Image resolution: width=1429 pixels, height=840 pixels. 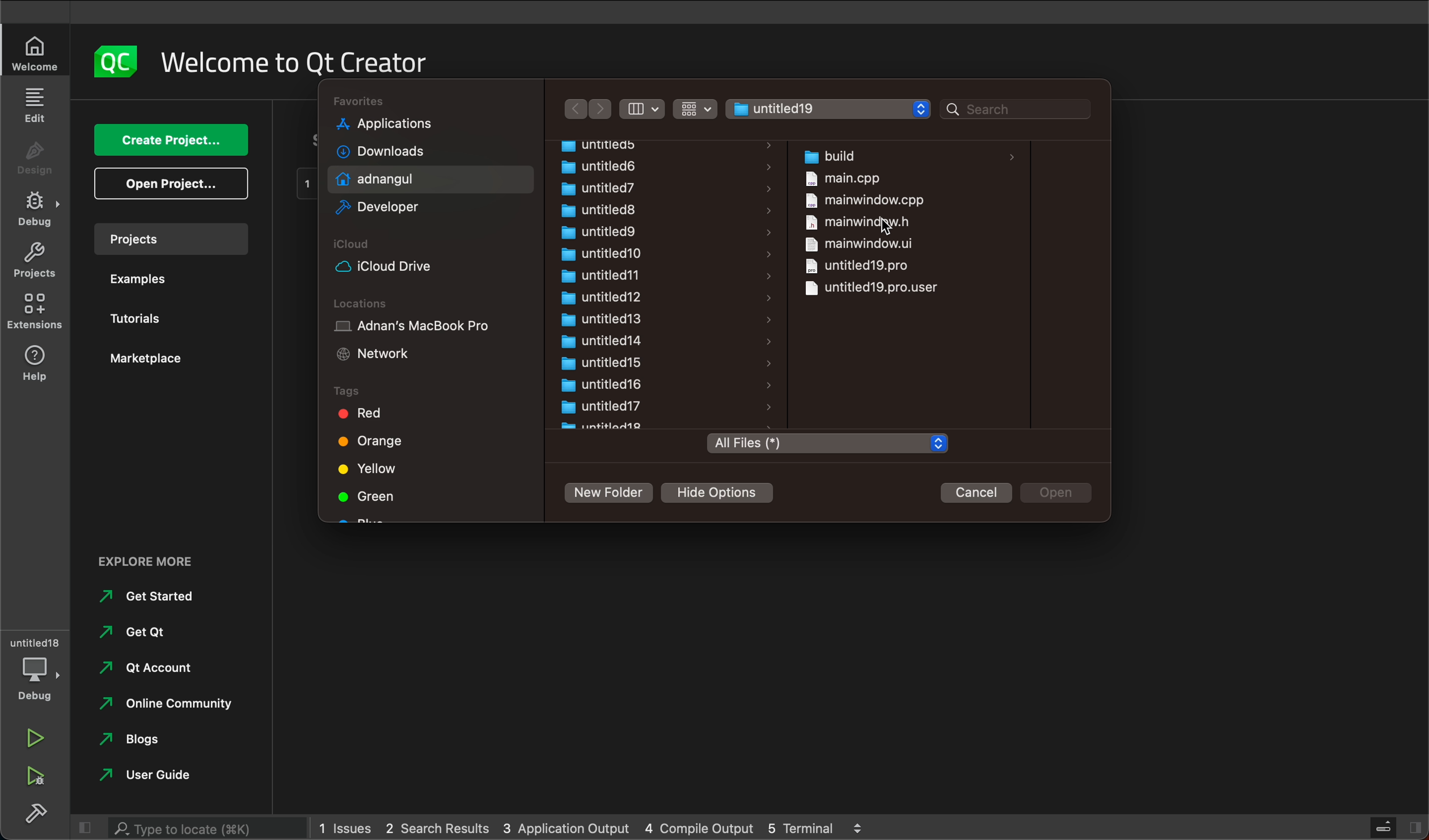 What do you see at coordinates (157, 778) in the screenshot?
I see `user guide` at bounding box center [157, 778].